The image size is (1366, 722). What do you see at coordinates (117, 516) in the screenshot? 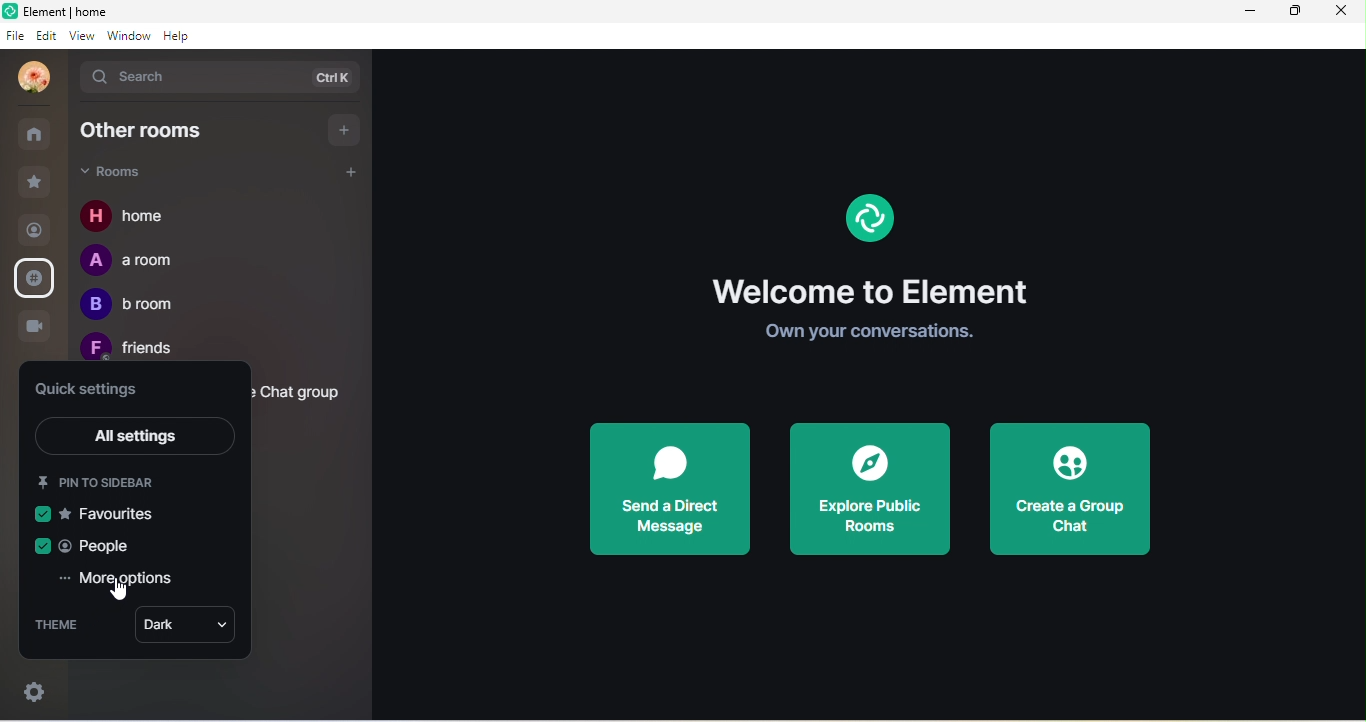
I see `favourites` at bounding box center [117, 516].